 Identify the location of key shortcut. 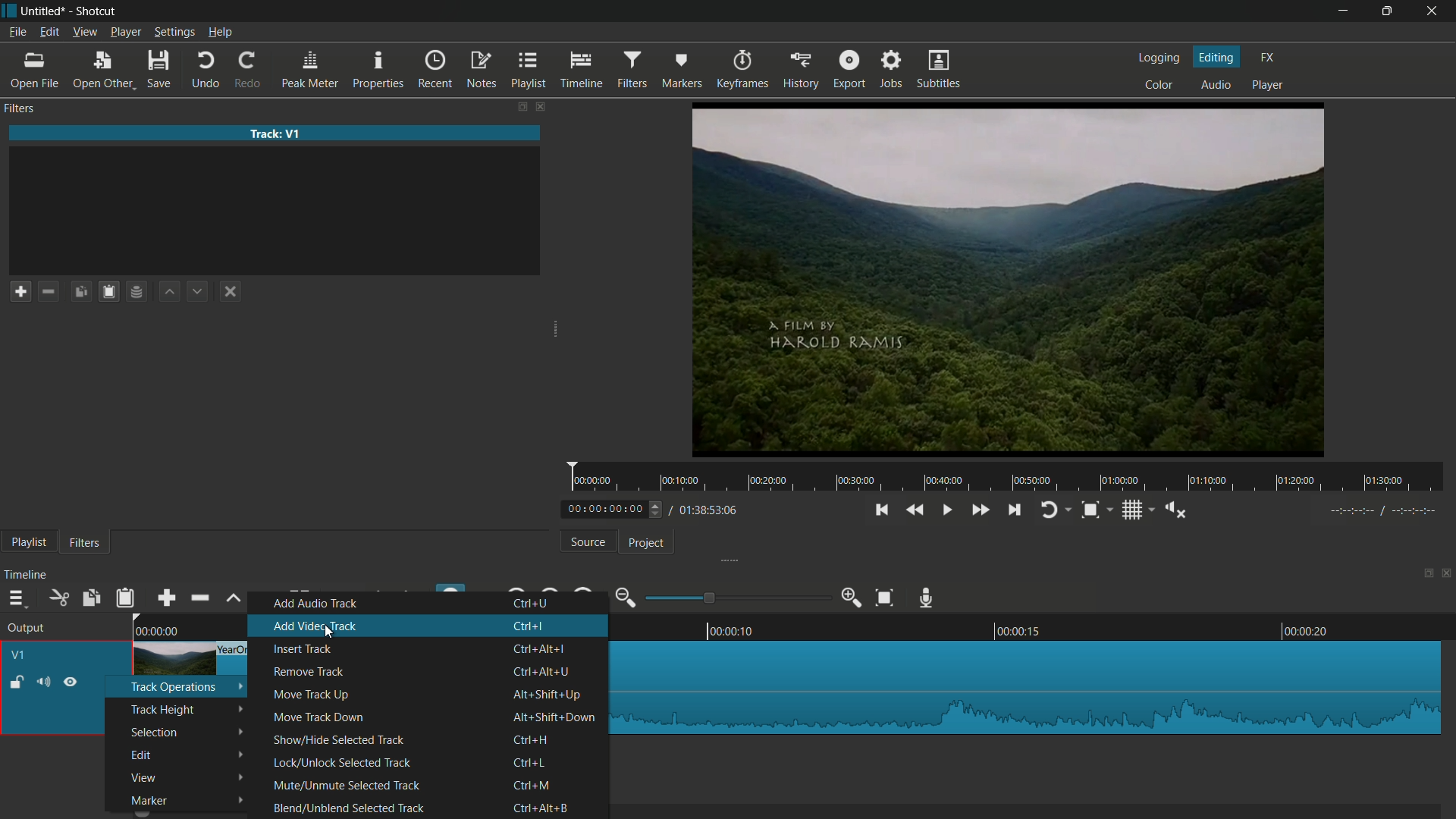
(550, 695).